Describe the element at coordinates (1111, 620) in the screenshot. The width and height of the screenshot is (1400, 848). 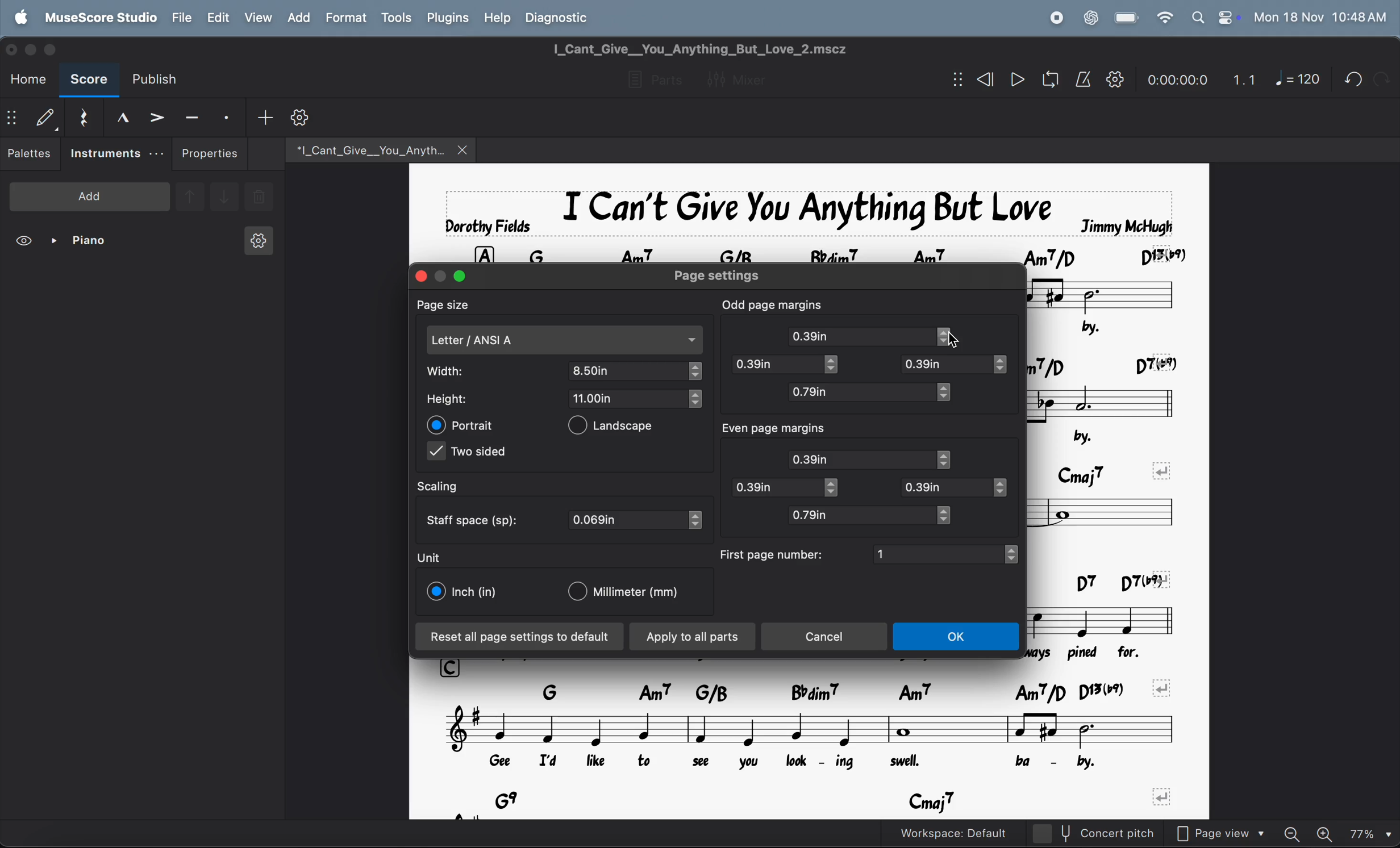
I see `notes` at that location.